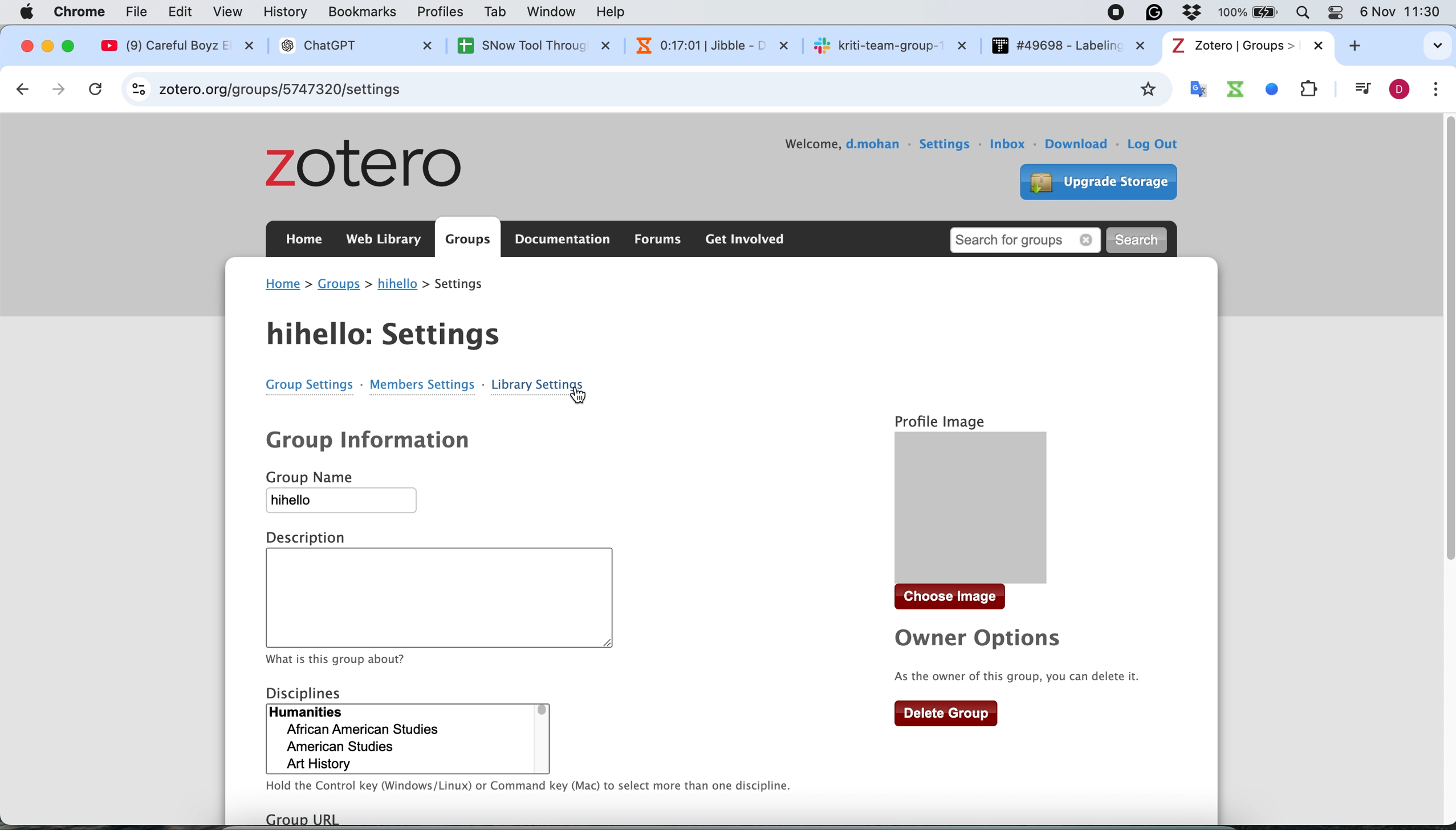 Image resolution: width=1456 pixels, height=830 pixels. What do you see at coordinates (353, 46) in the screenshot?
I see `® ChatGPT X` at bounding box center [353, 46].